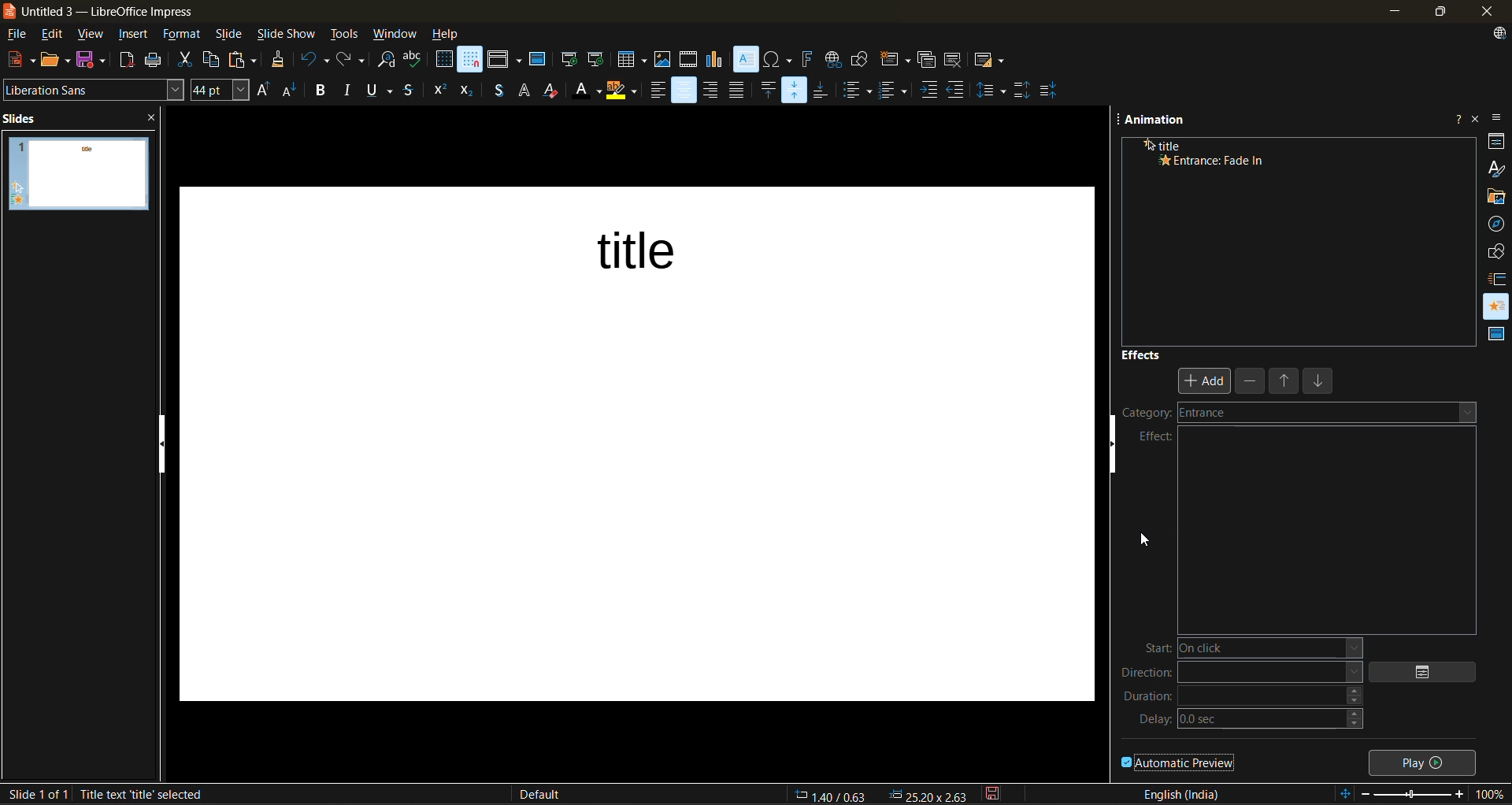  I want to click on animation added to the slide, so click(17, 195).